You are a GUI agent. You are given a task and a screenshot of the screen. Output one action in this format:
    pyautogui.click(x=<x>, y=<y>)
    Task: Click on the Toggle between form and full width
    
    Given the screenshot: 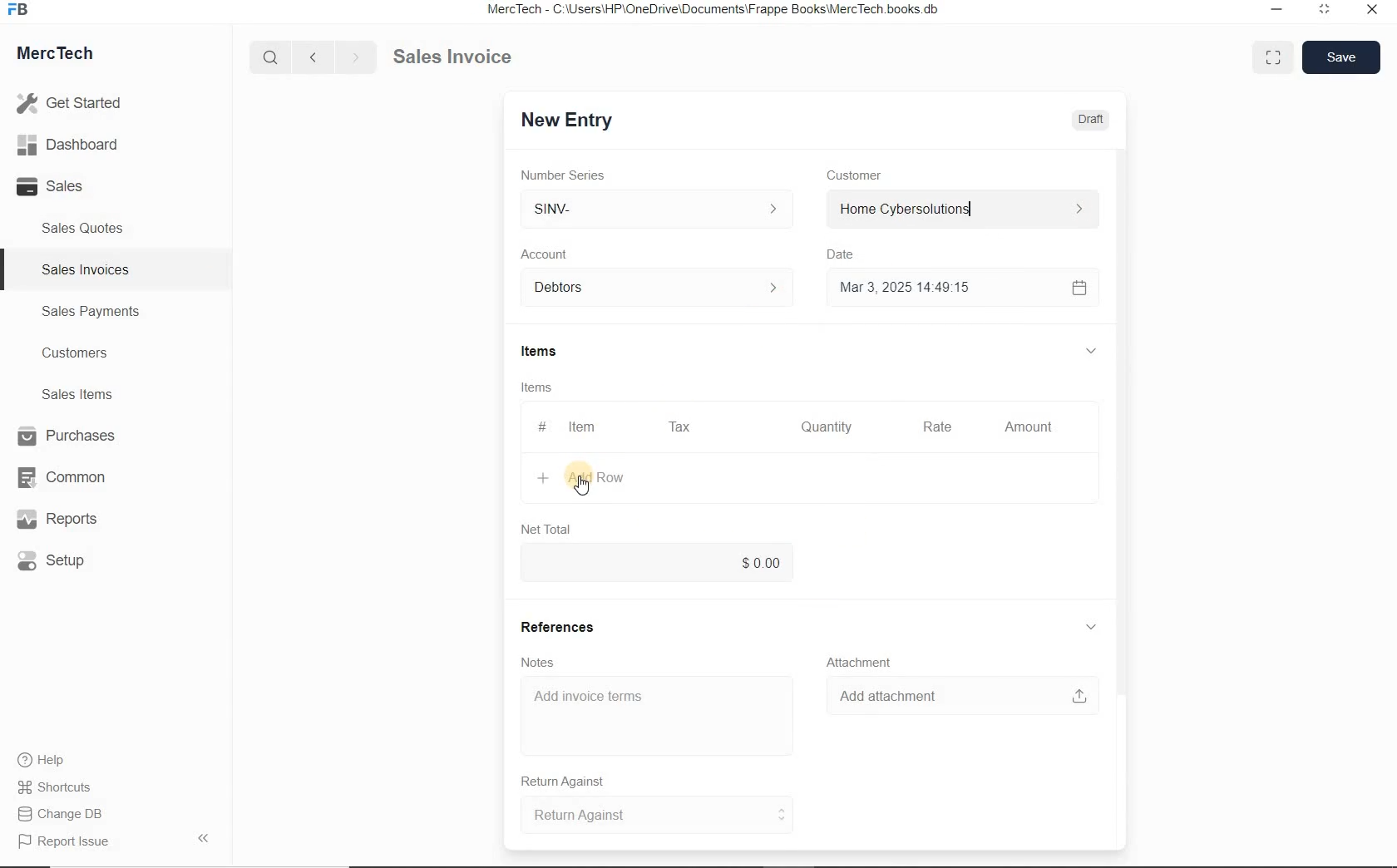 What is the action you would take?
    pyautogui.click(x=1269, y=56)
    